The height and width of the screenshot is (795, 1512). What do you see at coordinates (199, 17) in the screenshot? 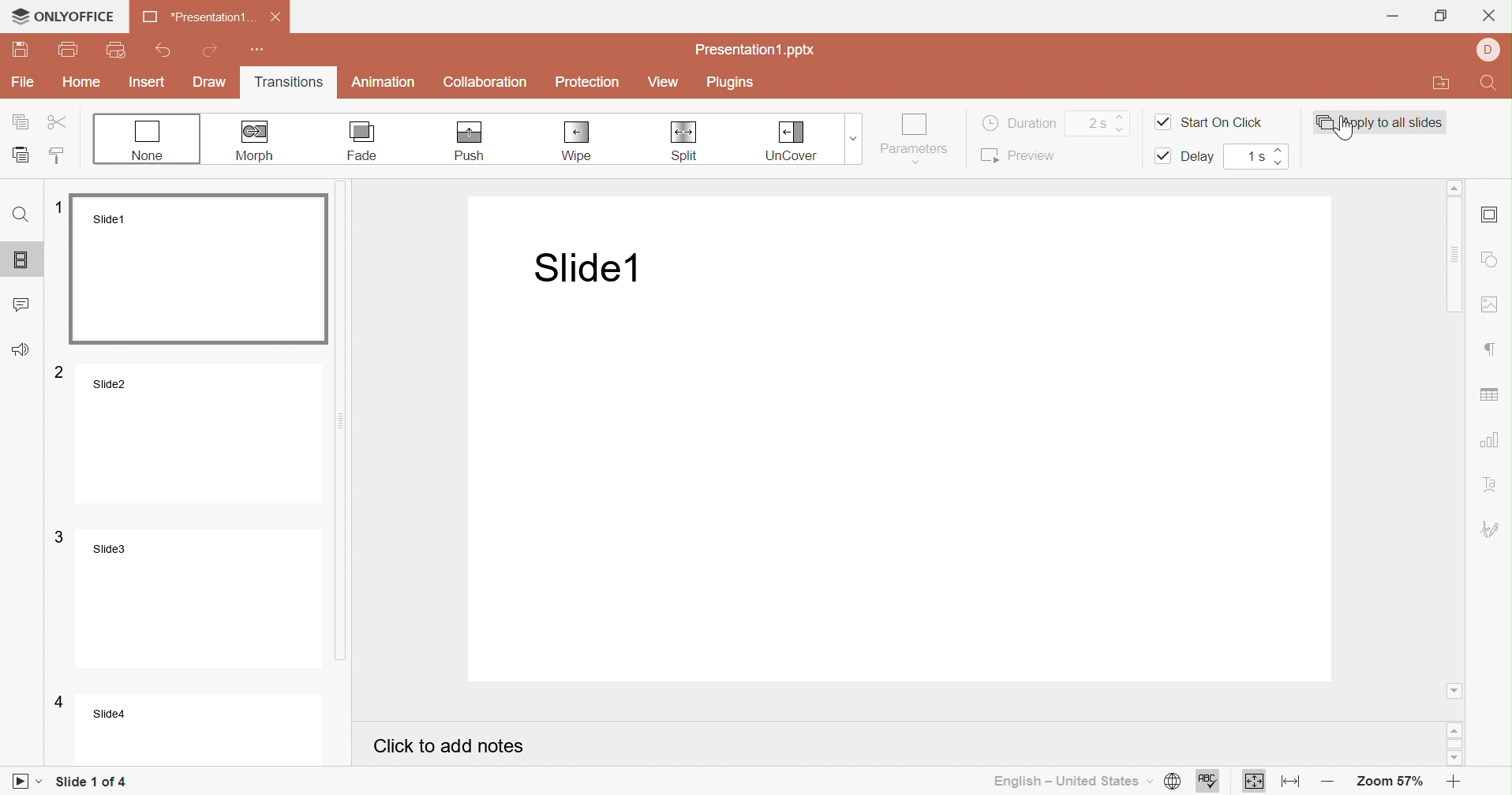
I see `*Presentation1 ...` at bounding box center [199, 17].